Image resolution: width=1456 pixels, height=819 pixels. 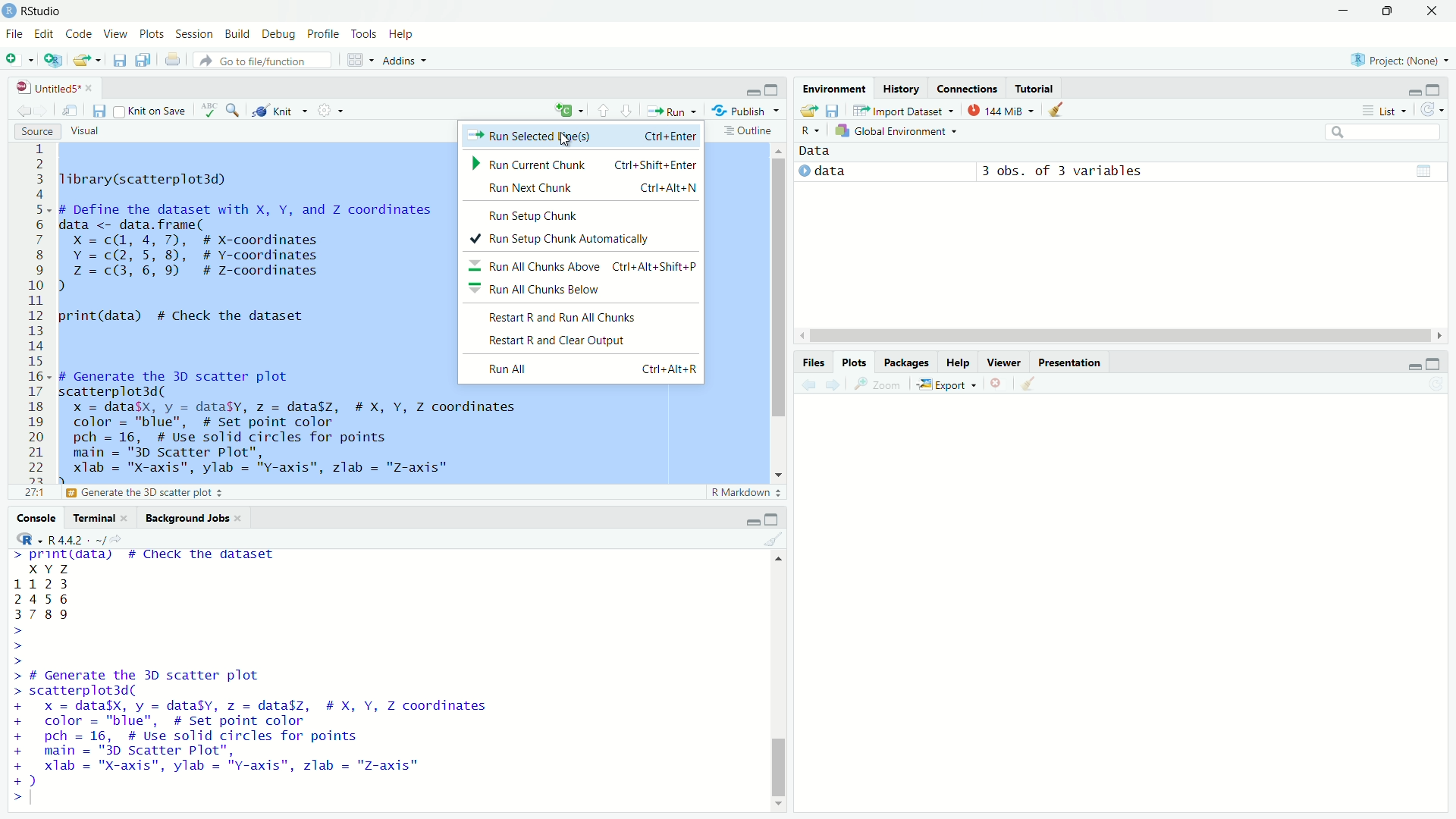 I want to click on previous plot, so click(x=805, y=384).